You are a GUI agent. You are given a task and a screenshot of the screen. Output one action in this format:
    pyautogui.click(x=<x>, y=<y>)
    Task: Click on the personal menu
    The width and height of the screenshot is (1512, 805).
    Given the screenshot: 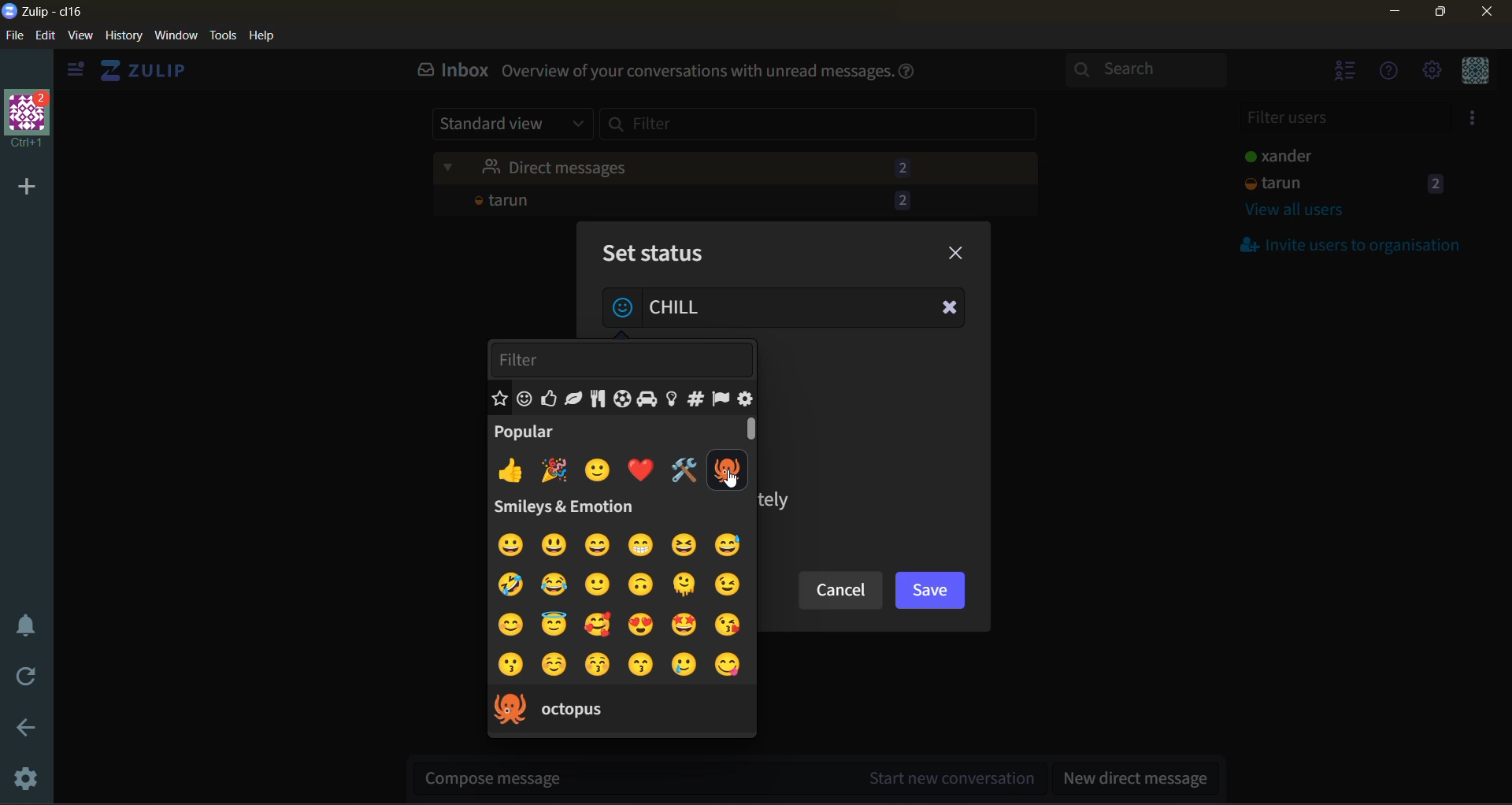 What is the action you would take?
    pyautogui.click(x=1474, y=73)
    